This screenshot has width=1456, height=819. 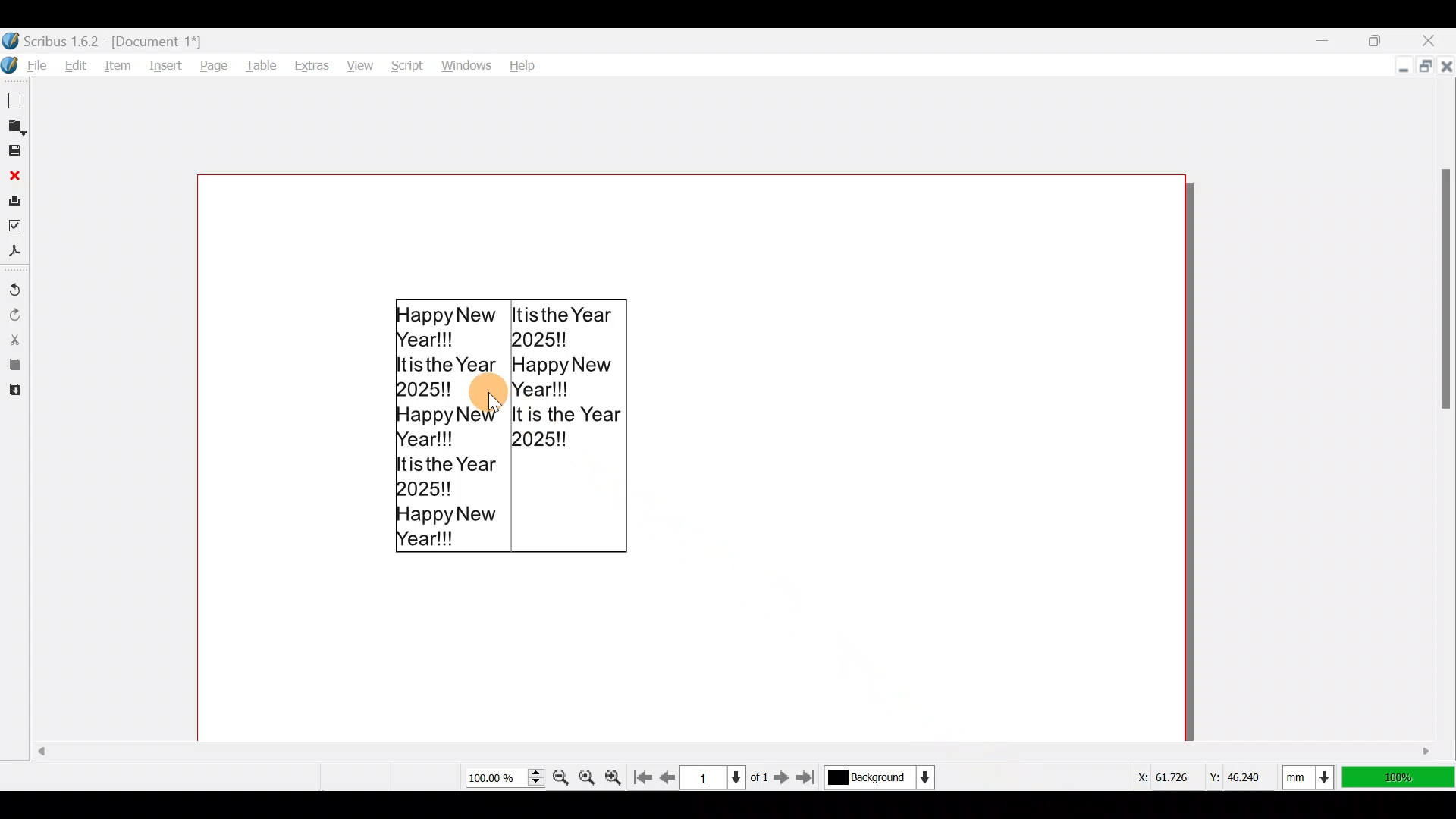 I want to click on Table, so click(x=262, y=65).